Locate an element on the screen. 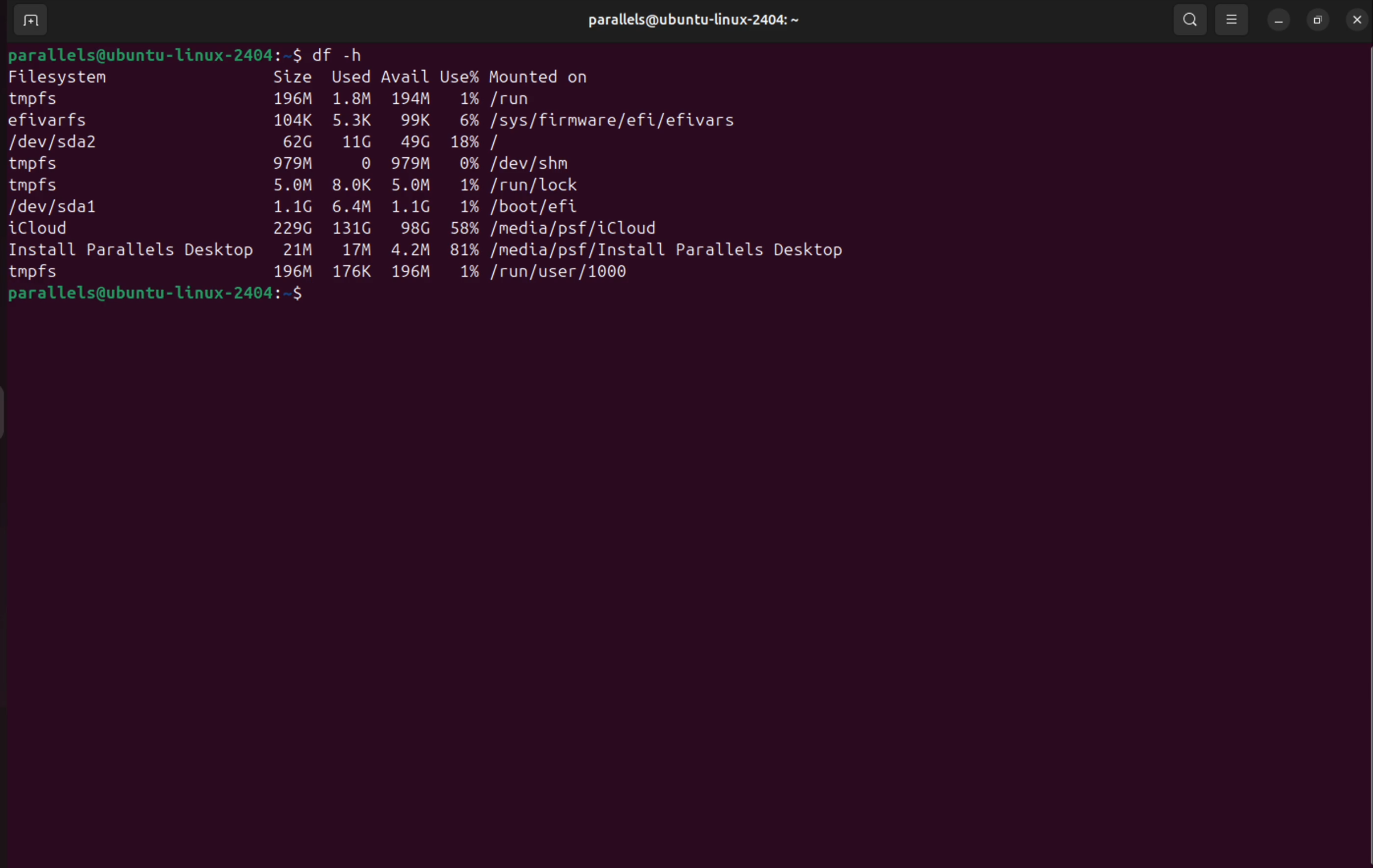 The image size is (1373, 868). parallels@ubuntu-linux-2404:~$ is located at coordinates (156, 52).